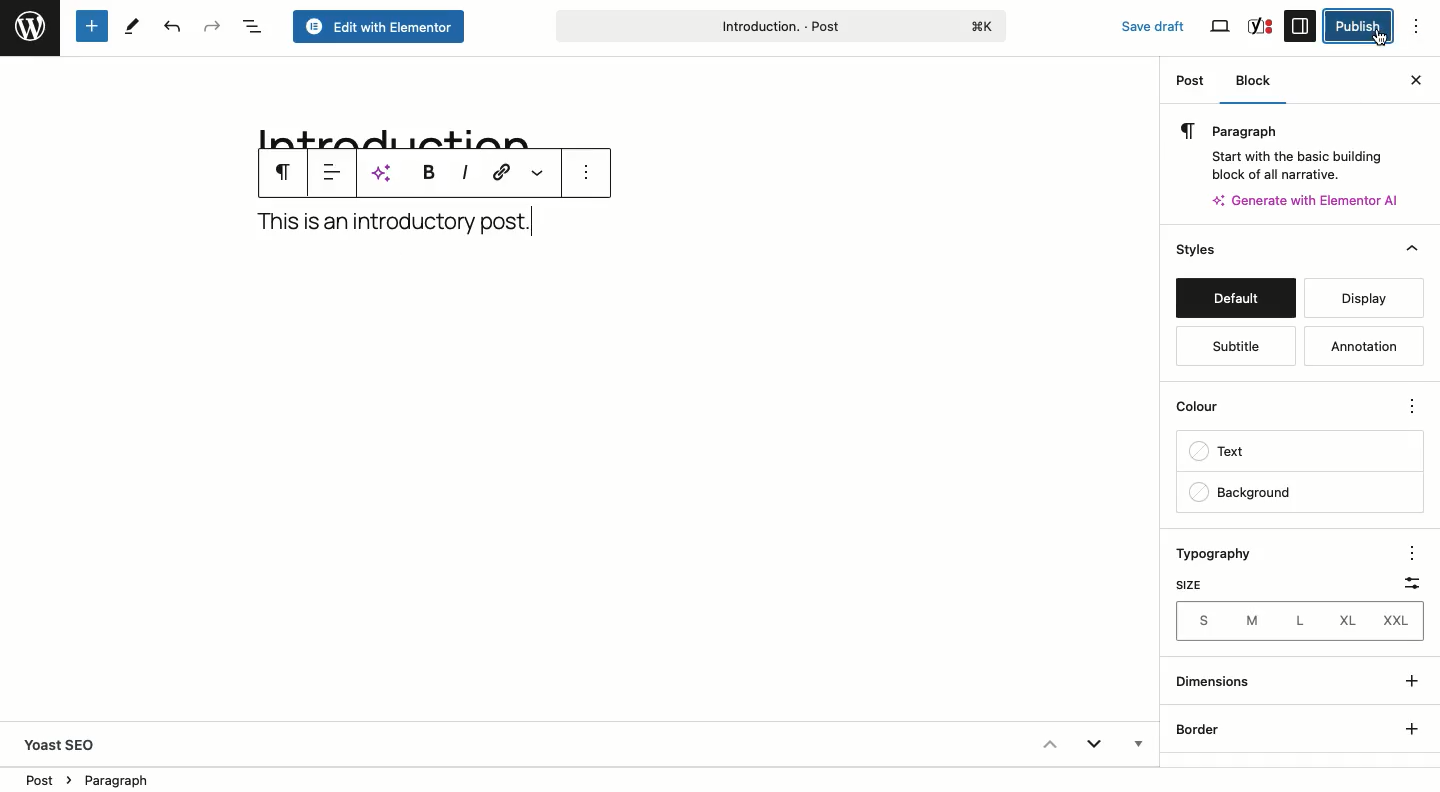  I want to click on View, so click(1222, 27).